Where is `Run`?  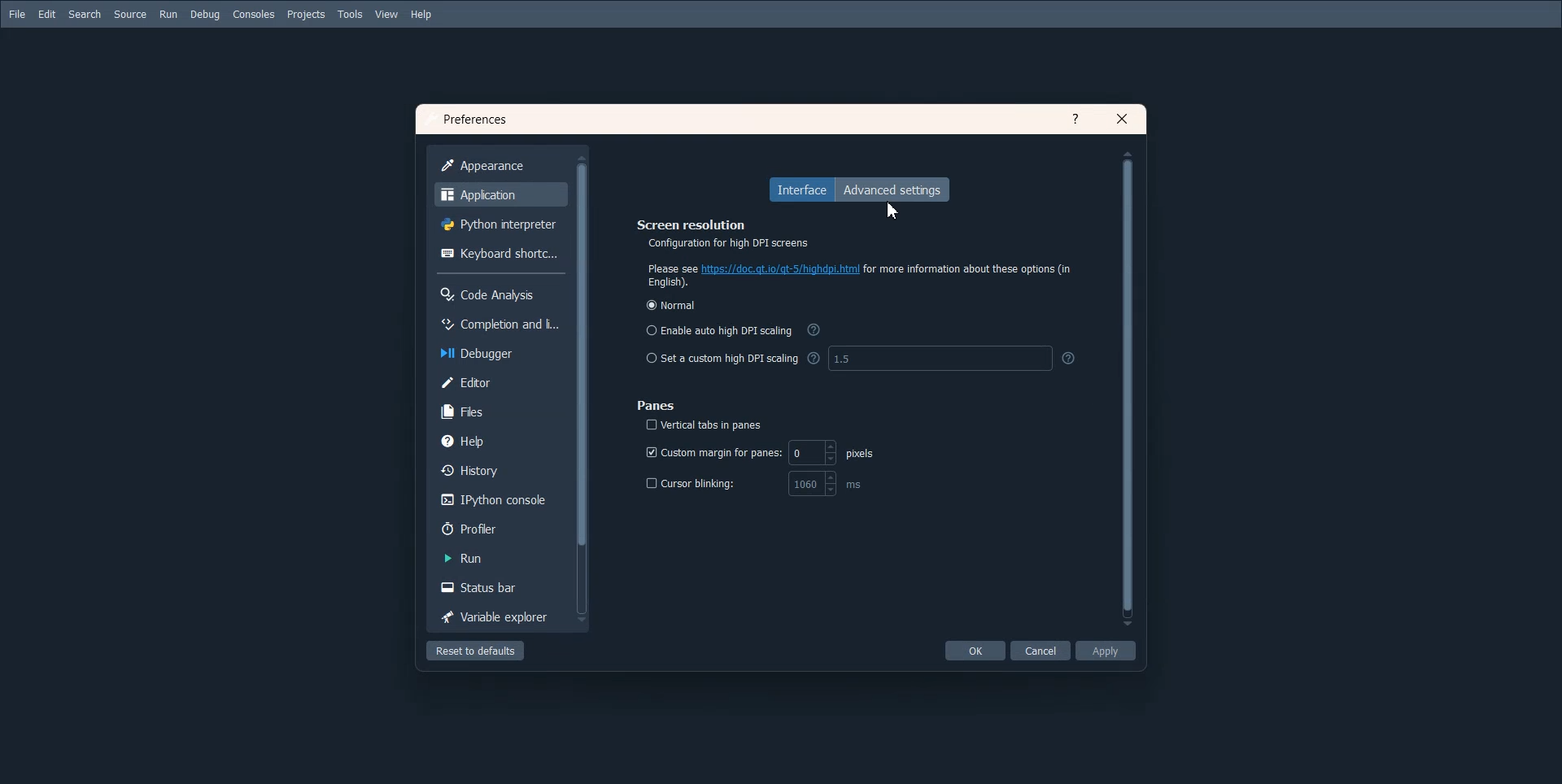 Run is located at coordinates (168, 15).